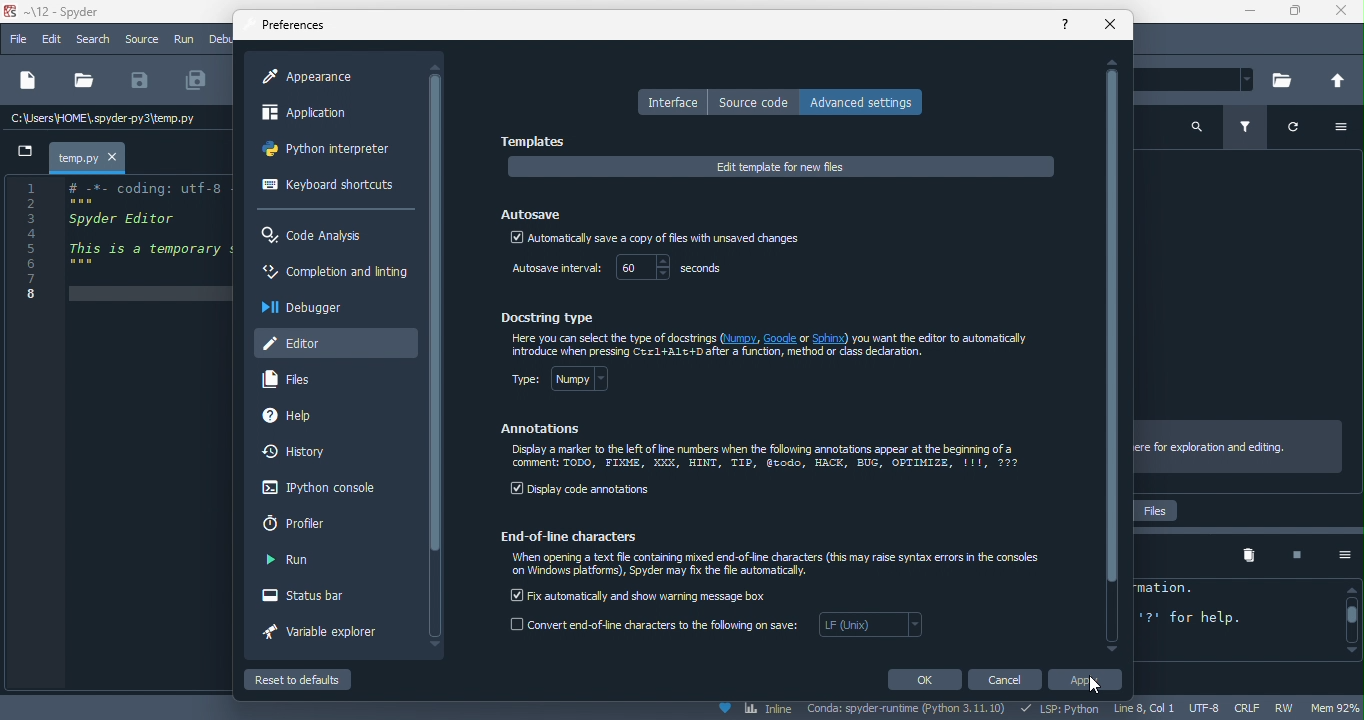  Describe the element at coordinates (1104, 685) in the screenshot. I see `cursor movement` at that location.